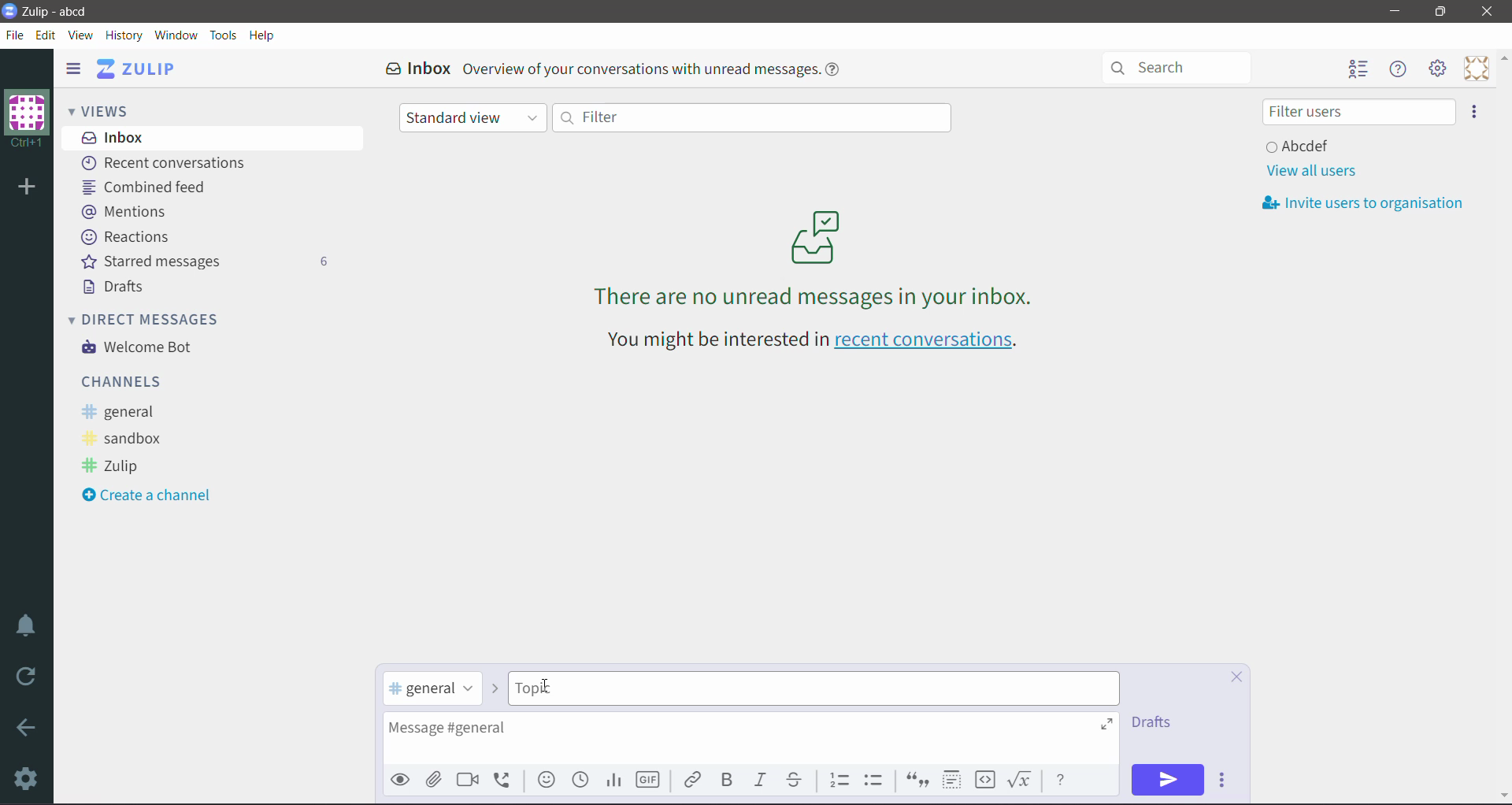 The image size is (1512, 805). I want to click on Application Logo, so click(9, 9).